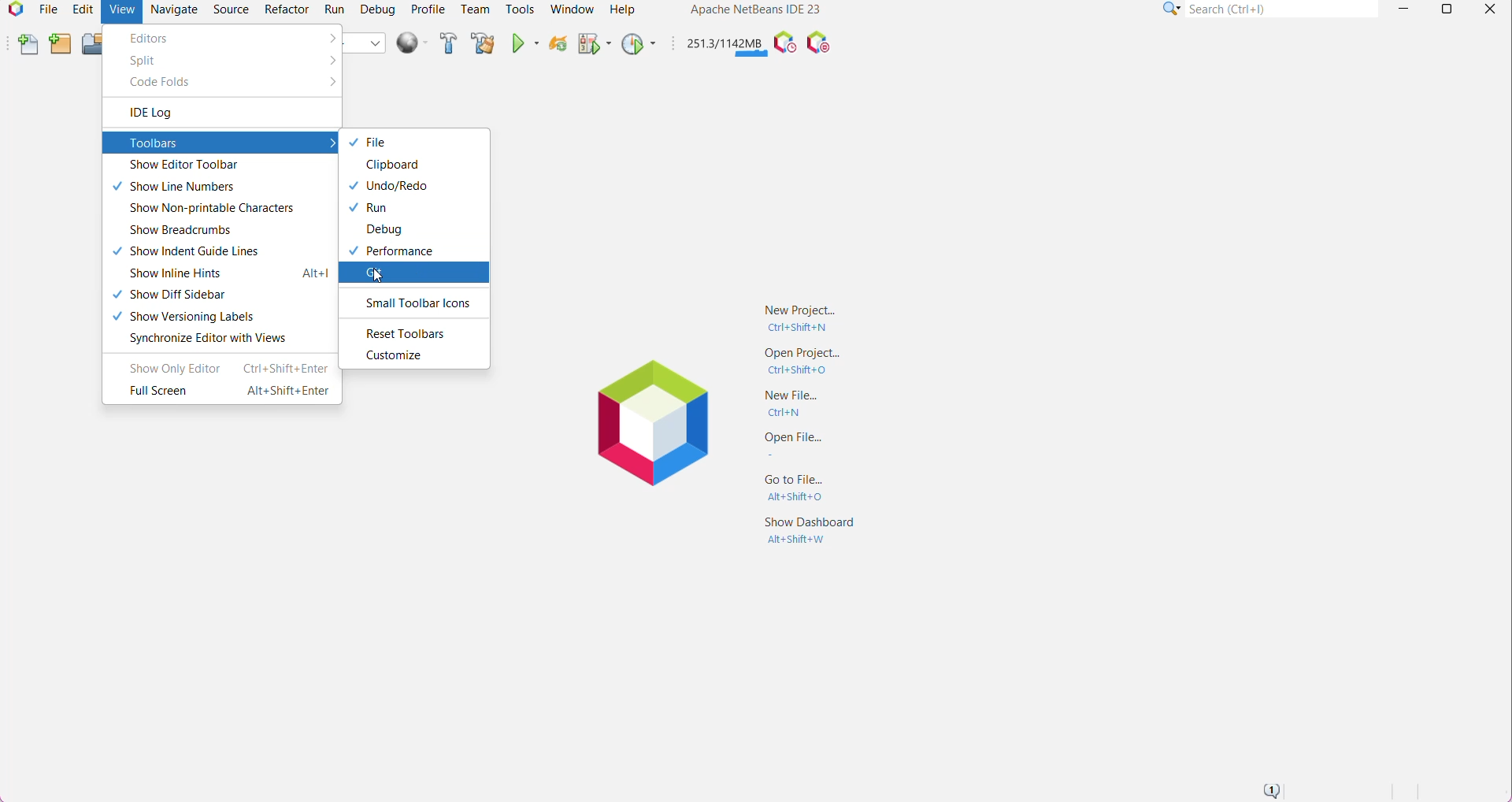 This screenshot has width=1512, height=802. What do you see at coordinates (220, 143) in the screenshot?
I see `Toolbars` at bounding box center [220, 143].